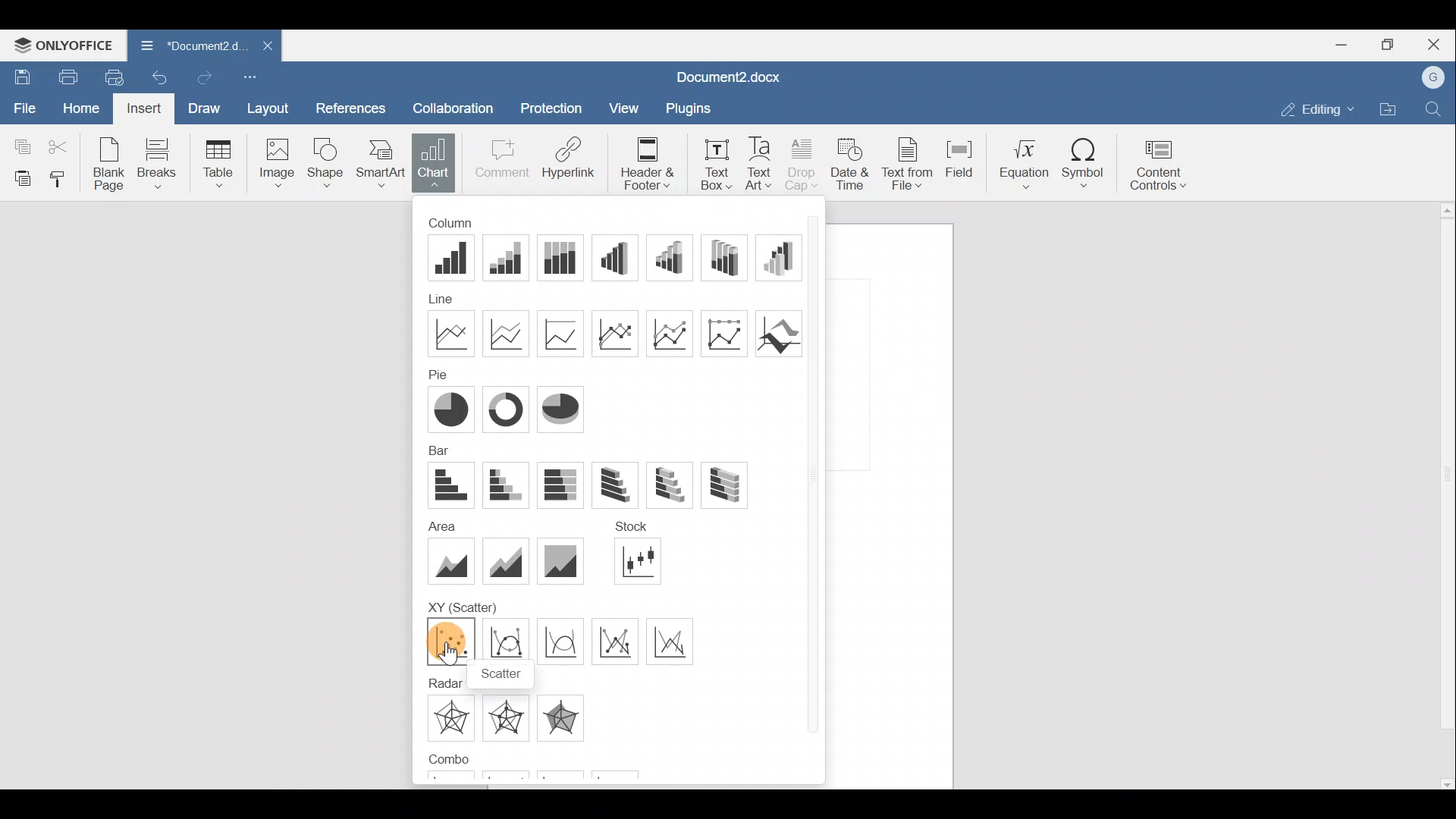  Describe the element at coordinates (499, 161) in the screenshot. I see `Comment` at that location.